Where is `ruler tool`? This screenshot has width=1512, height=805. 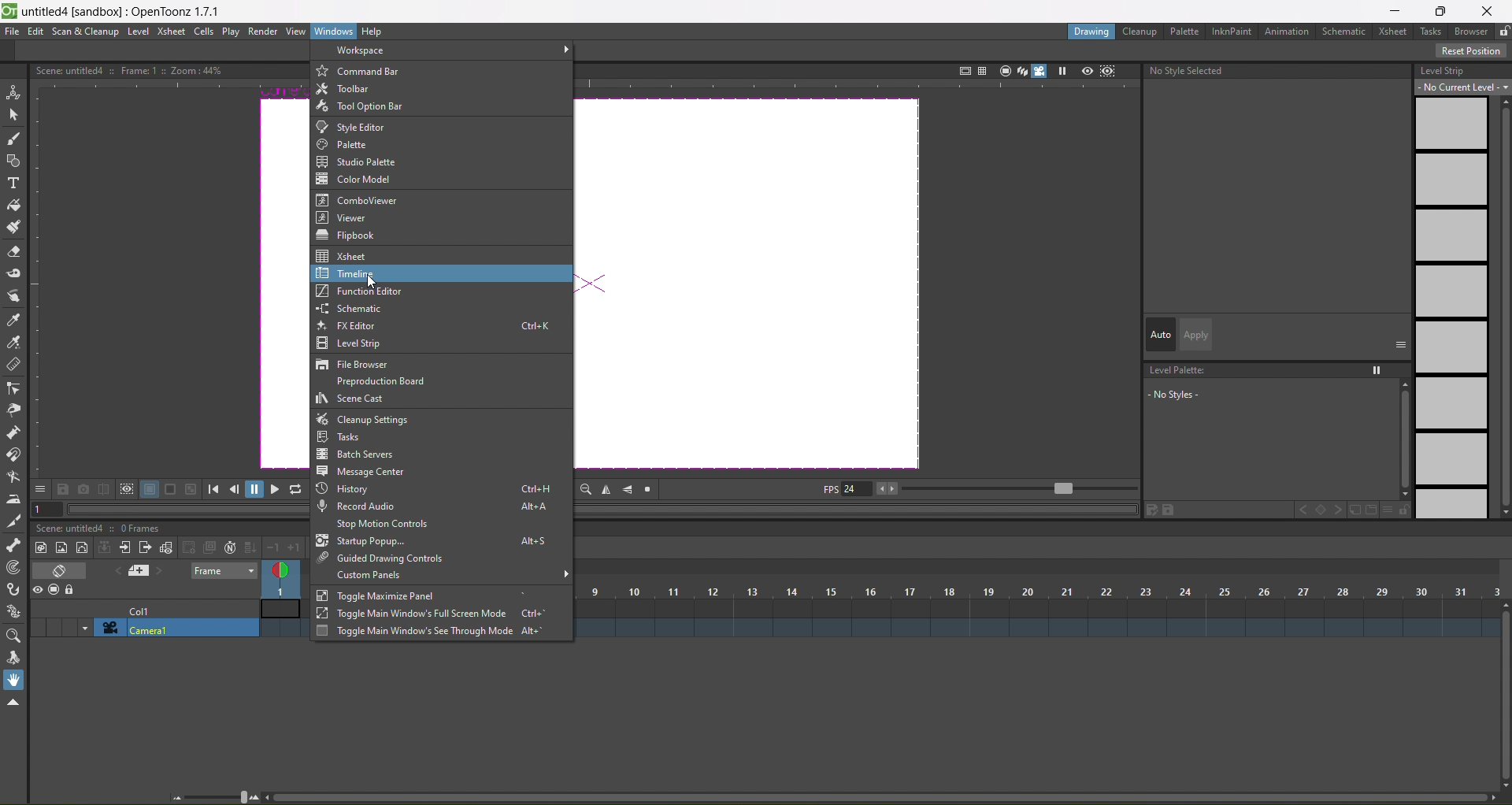 ruler tool is located at coordinates (12, 364).